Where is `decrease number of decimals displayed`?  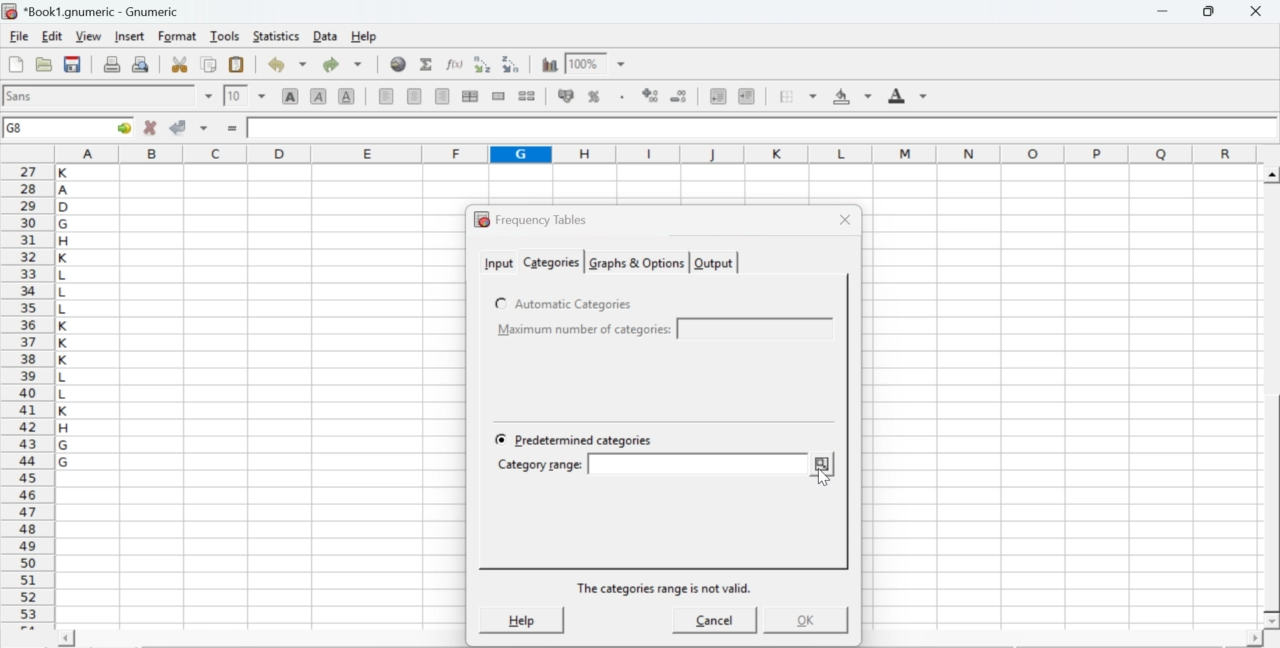 decrease number of decimals displayed is located at coordinates (650, 96).